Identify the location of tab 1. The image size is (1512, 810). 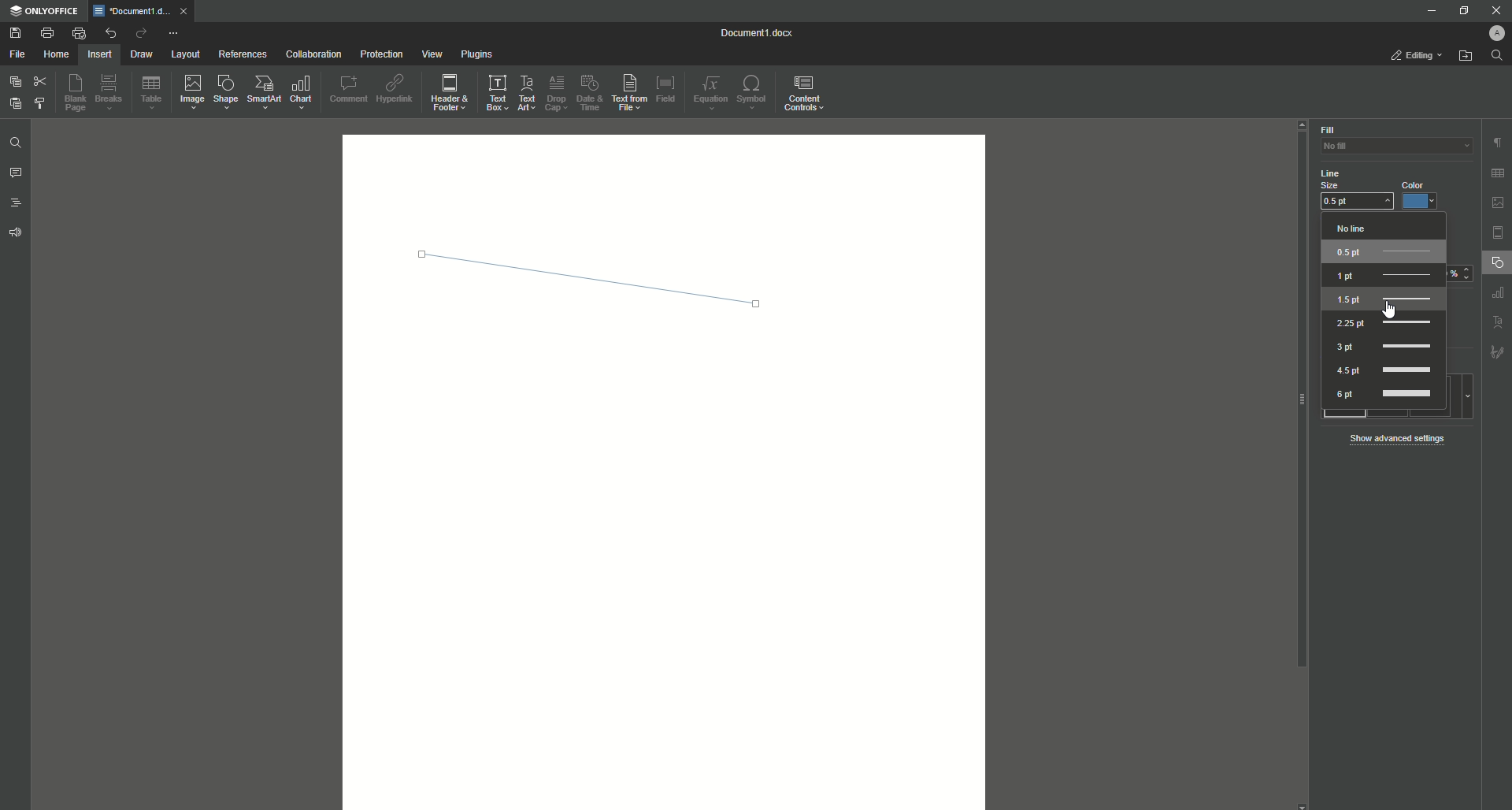
(145, 11).